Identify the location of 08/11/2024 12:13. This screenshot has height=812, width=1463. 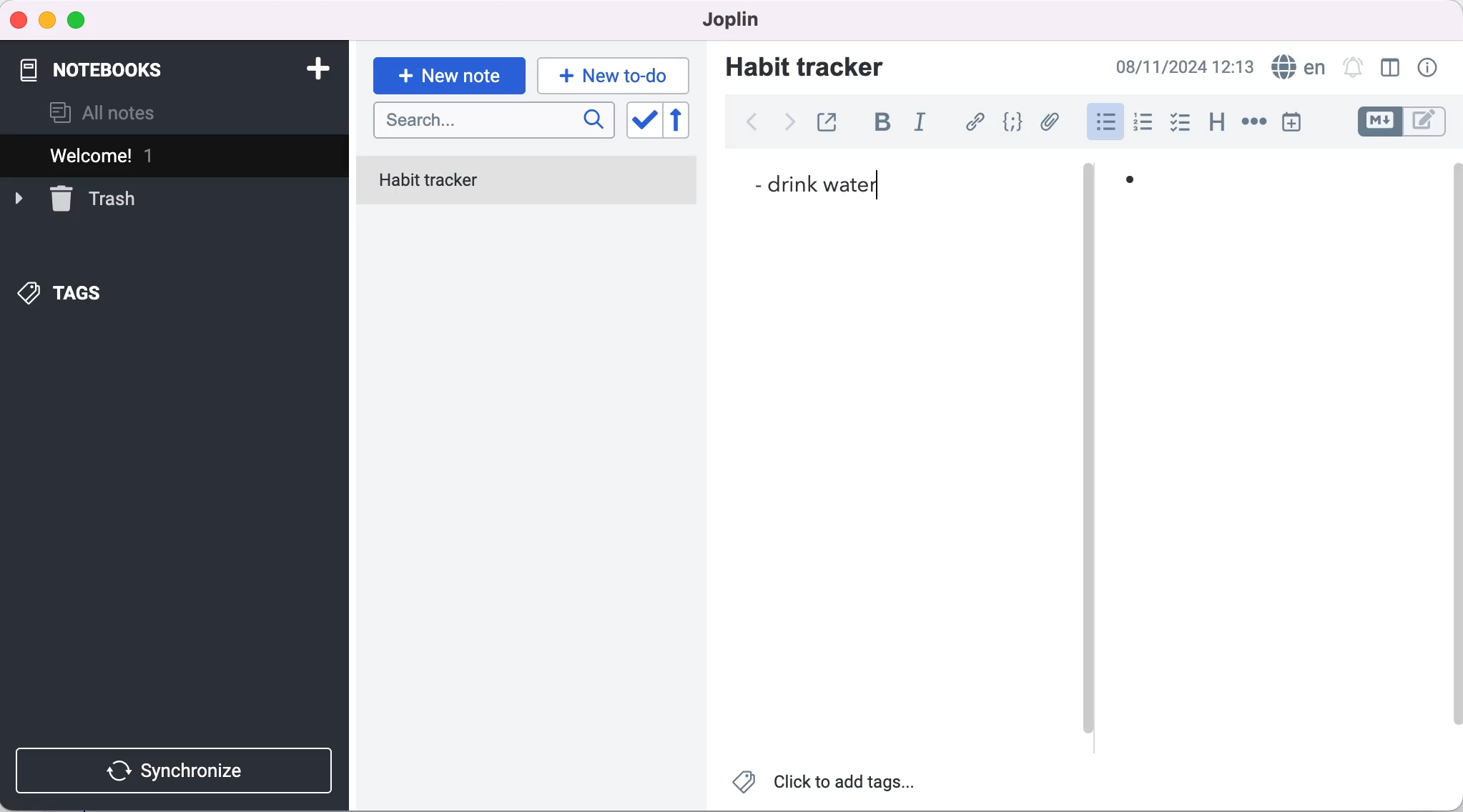
(1181, 66).